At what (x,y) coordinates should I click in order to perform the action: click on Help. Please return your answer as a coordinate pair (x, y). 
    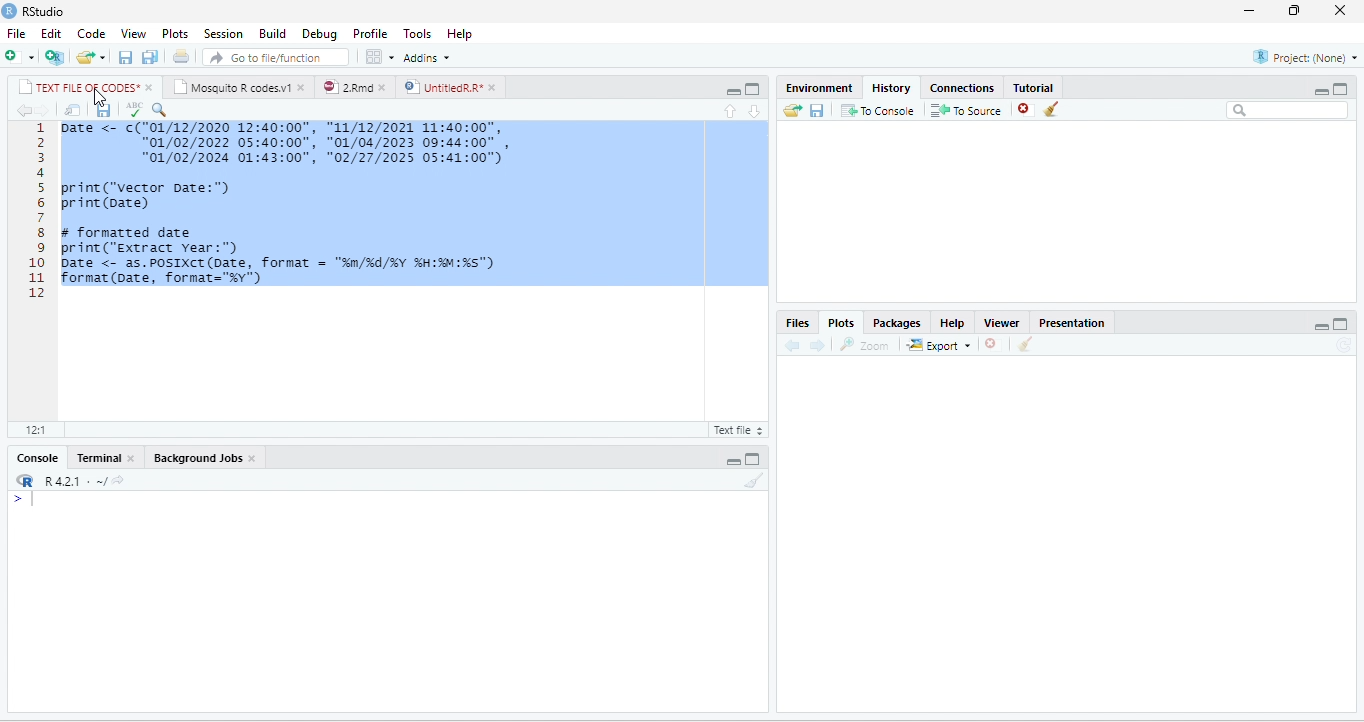
    Looking at the image, I should click on (953, 323).